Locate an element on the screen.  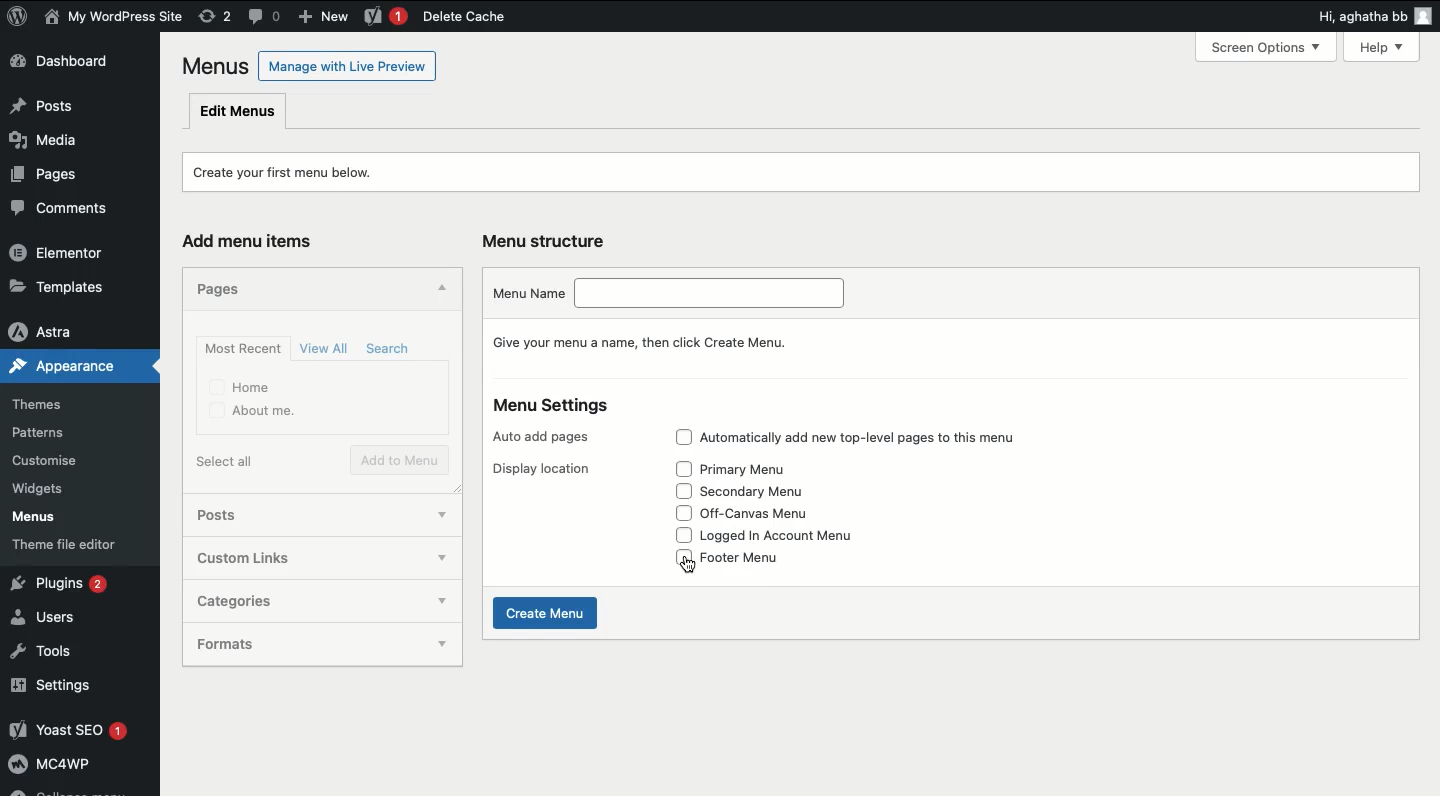
Home is located at coordinates (240, 386).